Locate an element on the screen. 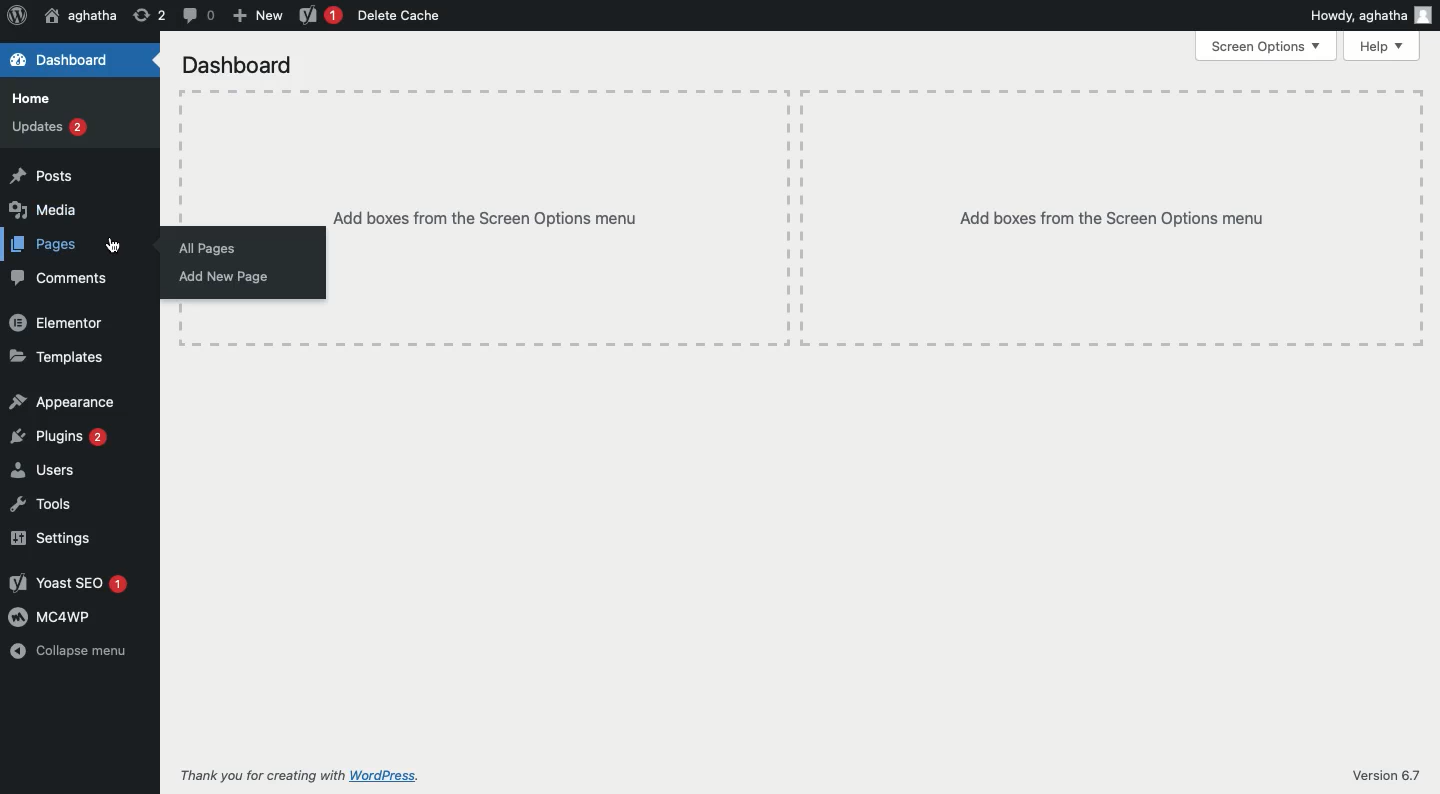 The image size is (1440, 794). Updates is located at coordinates (72, 127).